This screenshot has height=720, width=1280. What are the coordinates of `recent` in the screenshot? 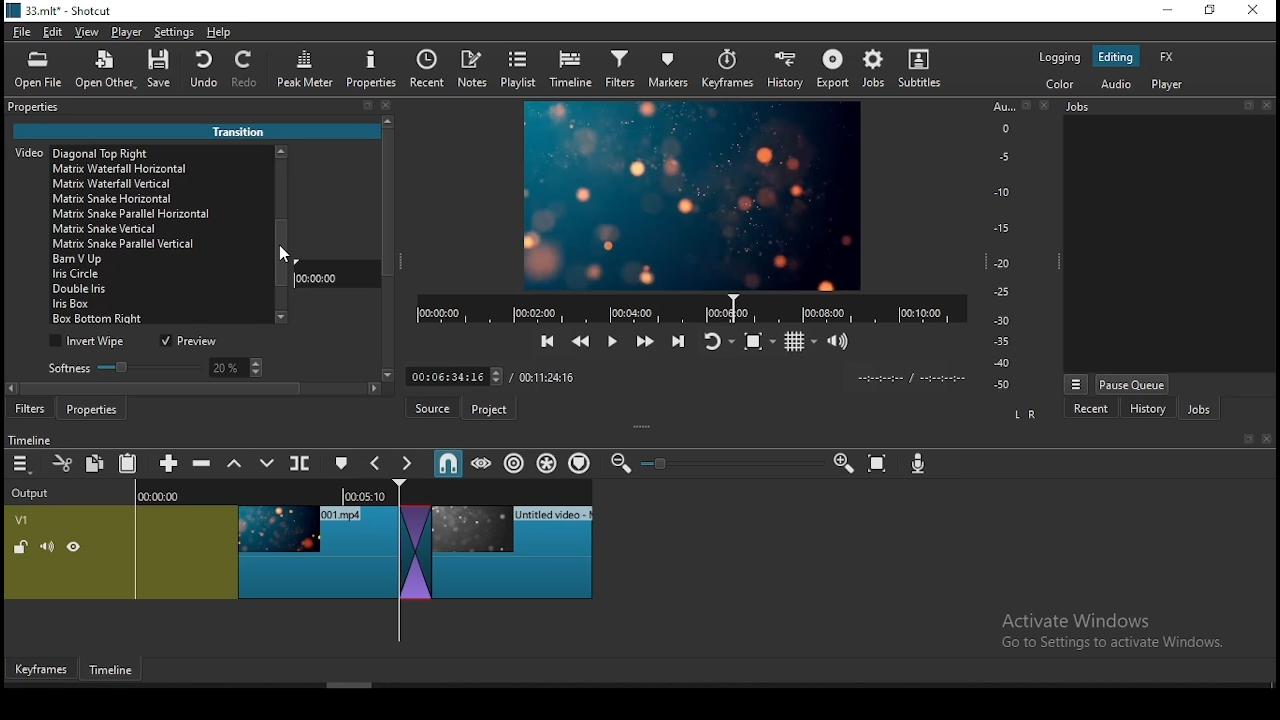 It's located at (1091, 408).